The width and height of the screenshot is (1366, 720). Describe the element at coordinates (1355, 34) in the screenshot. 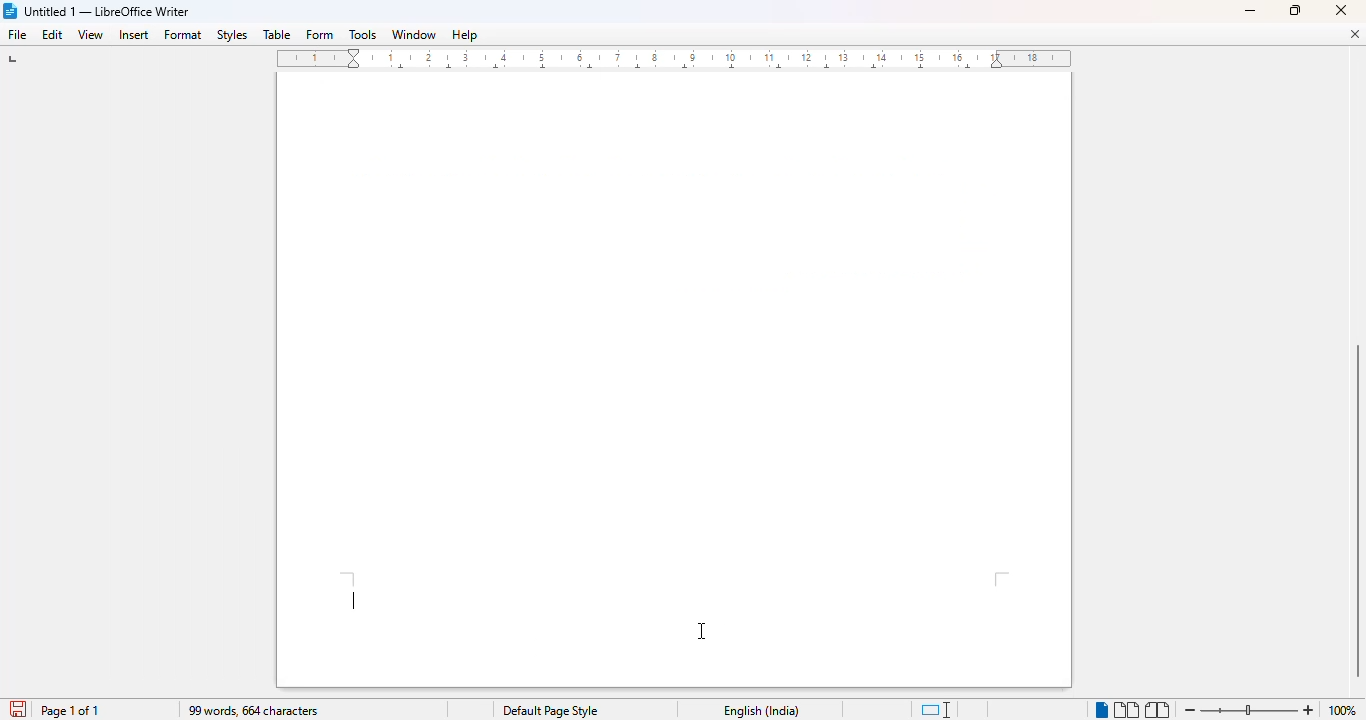

I see `close documemt` at that location.